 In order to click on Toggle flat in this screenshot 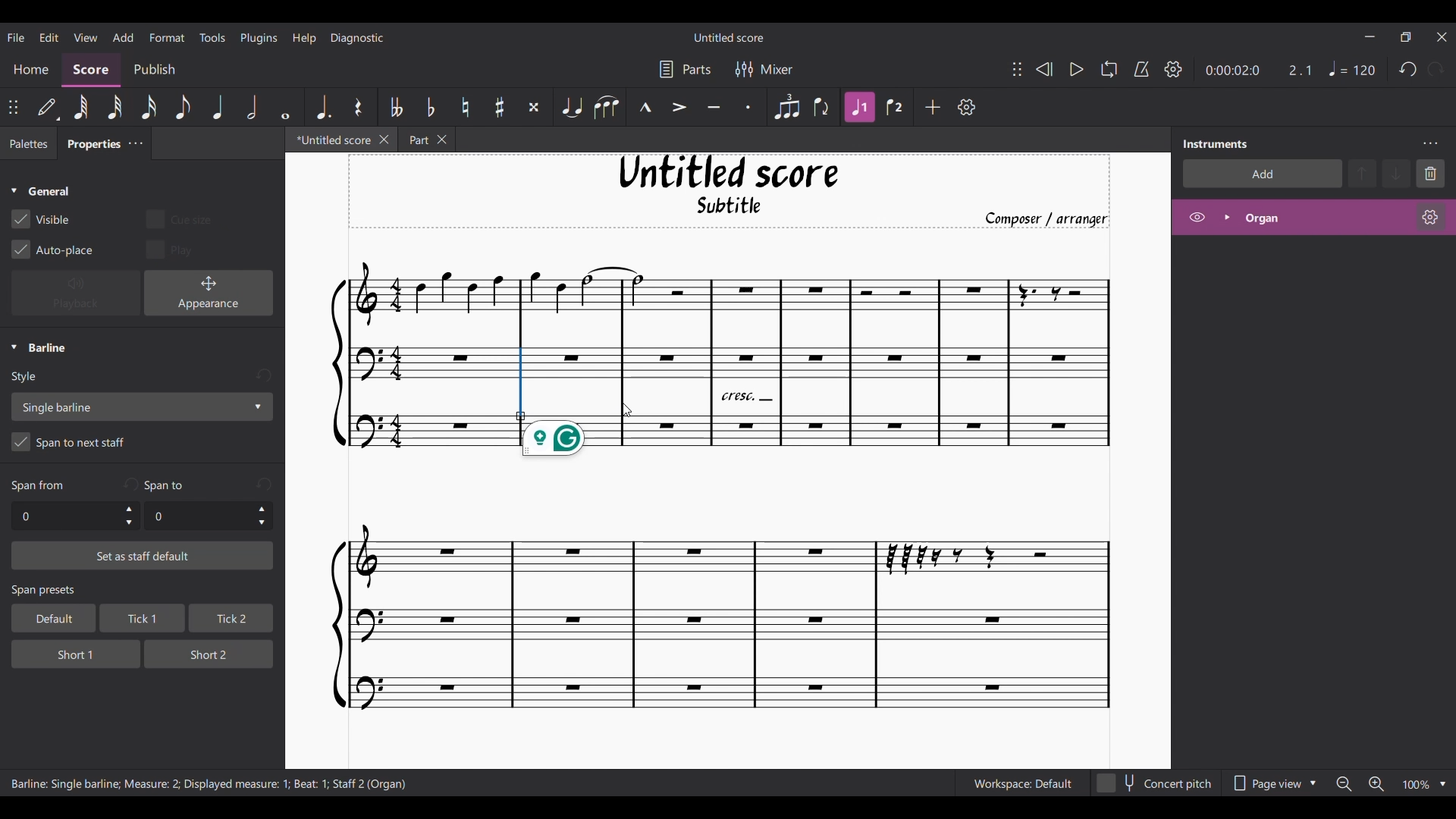, I will do `click(430, 107)`.